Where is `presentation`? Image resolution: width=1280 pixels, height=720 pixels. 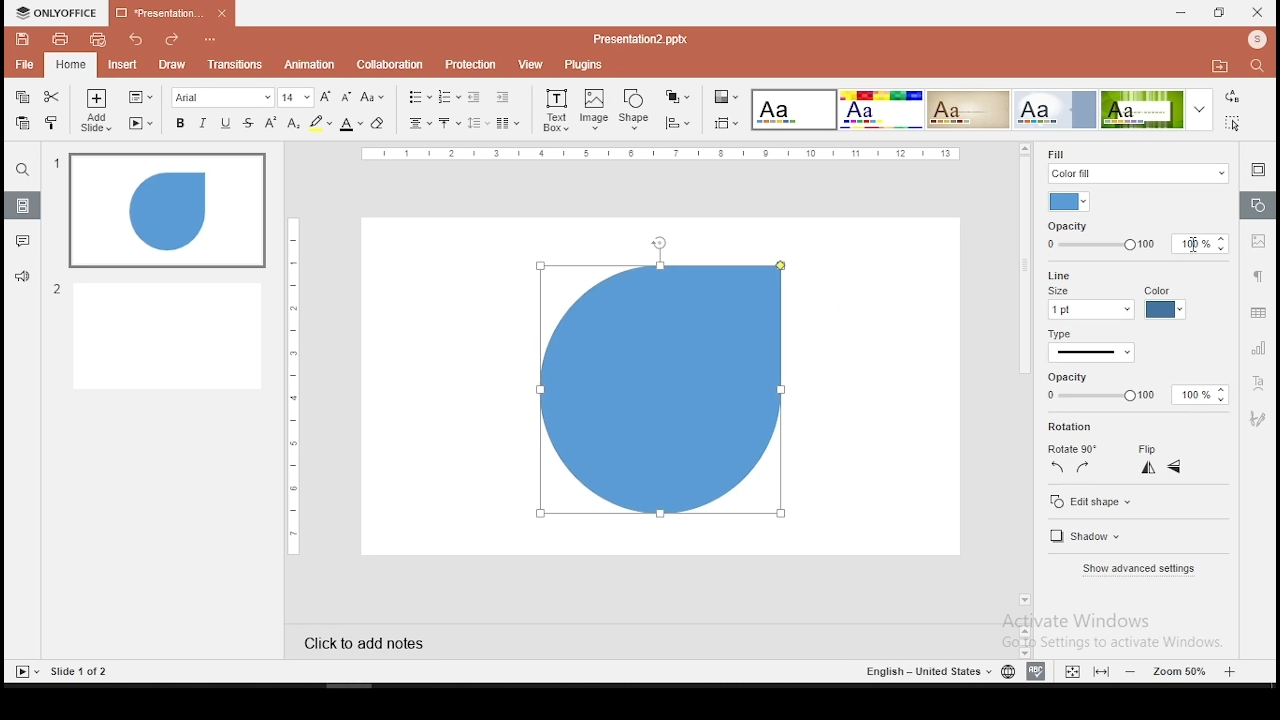
presentation is located at coordinates (170, 14).